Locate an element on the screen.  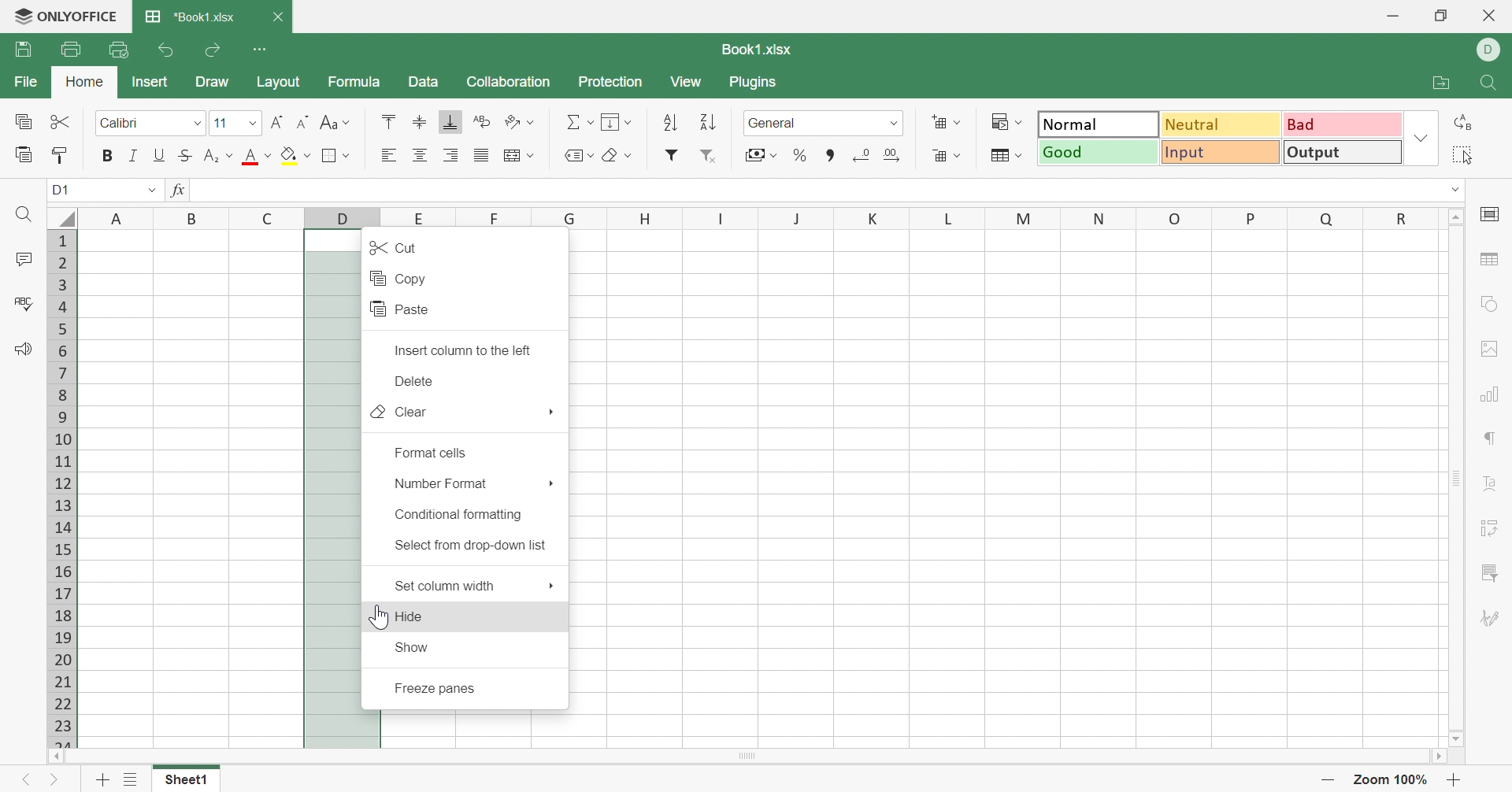
Chart settings is located at coordinates (1494, 394).